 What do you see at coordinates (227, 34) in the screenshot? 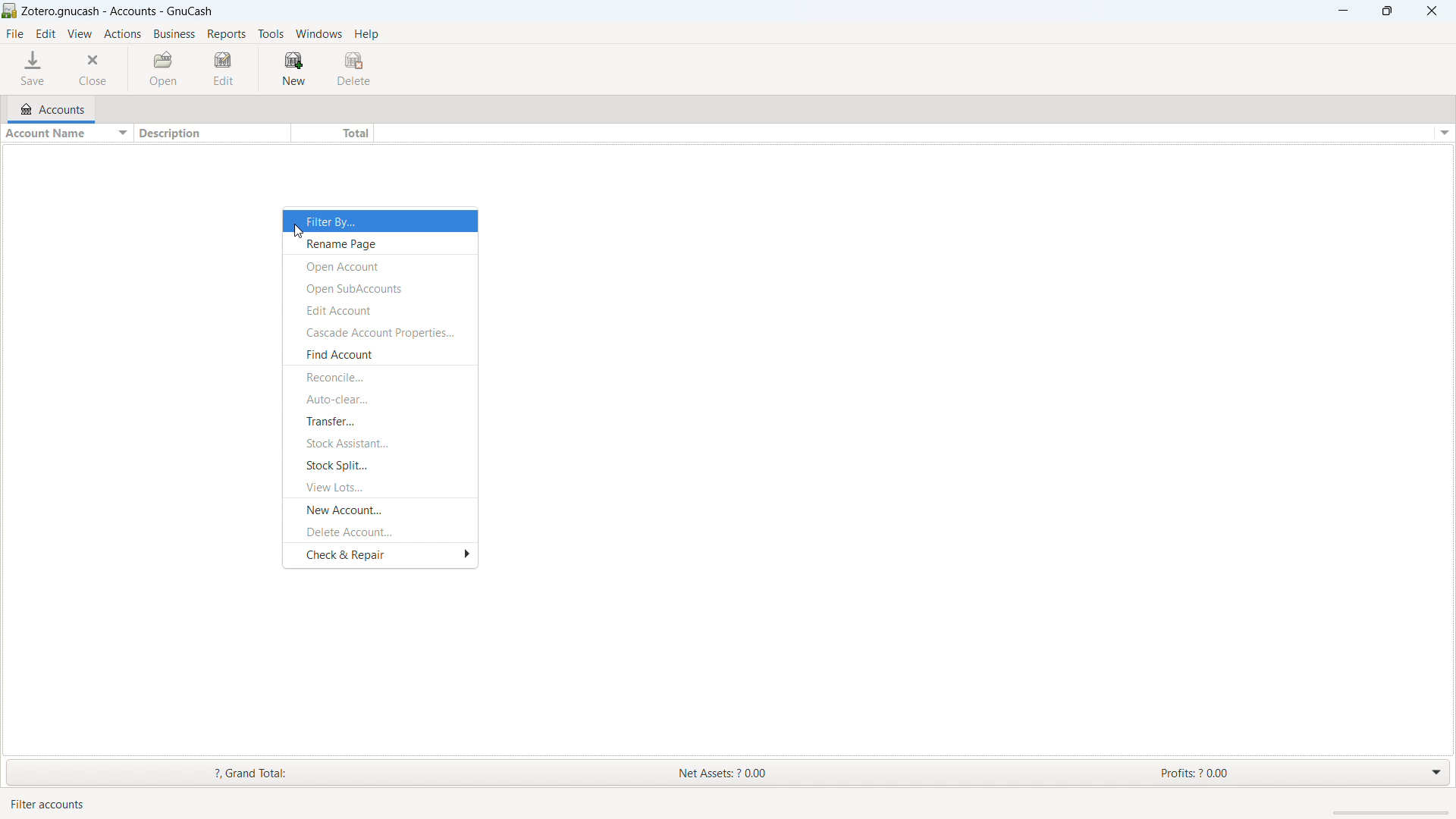
I see `reports` at bounding box center [227, 34].